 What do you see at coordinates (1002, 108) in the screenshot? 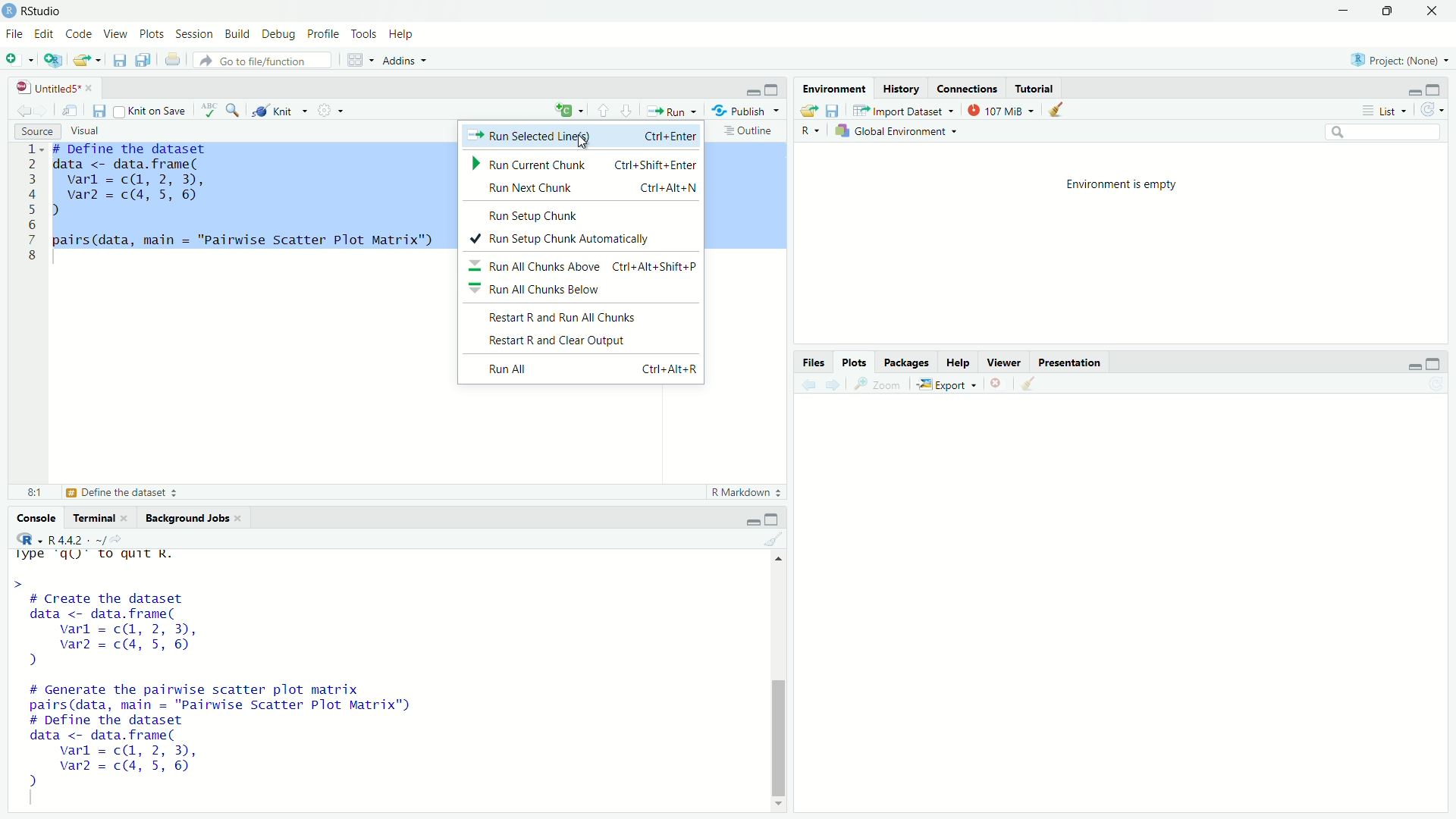
I see `129kib used by R session (Source: Windows System)` at bounding box center [1002, 108].